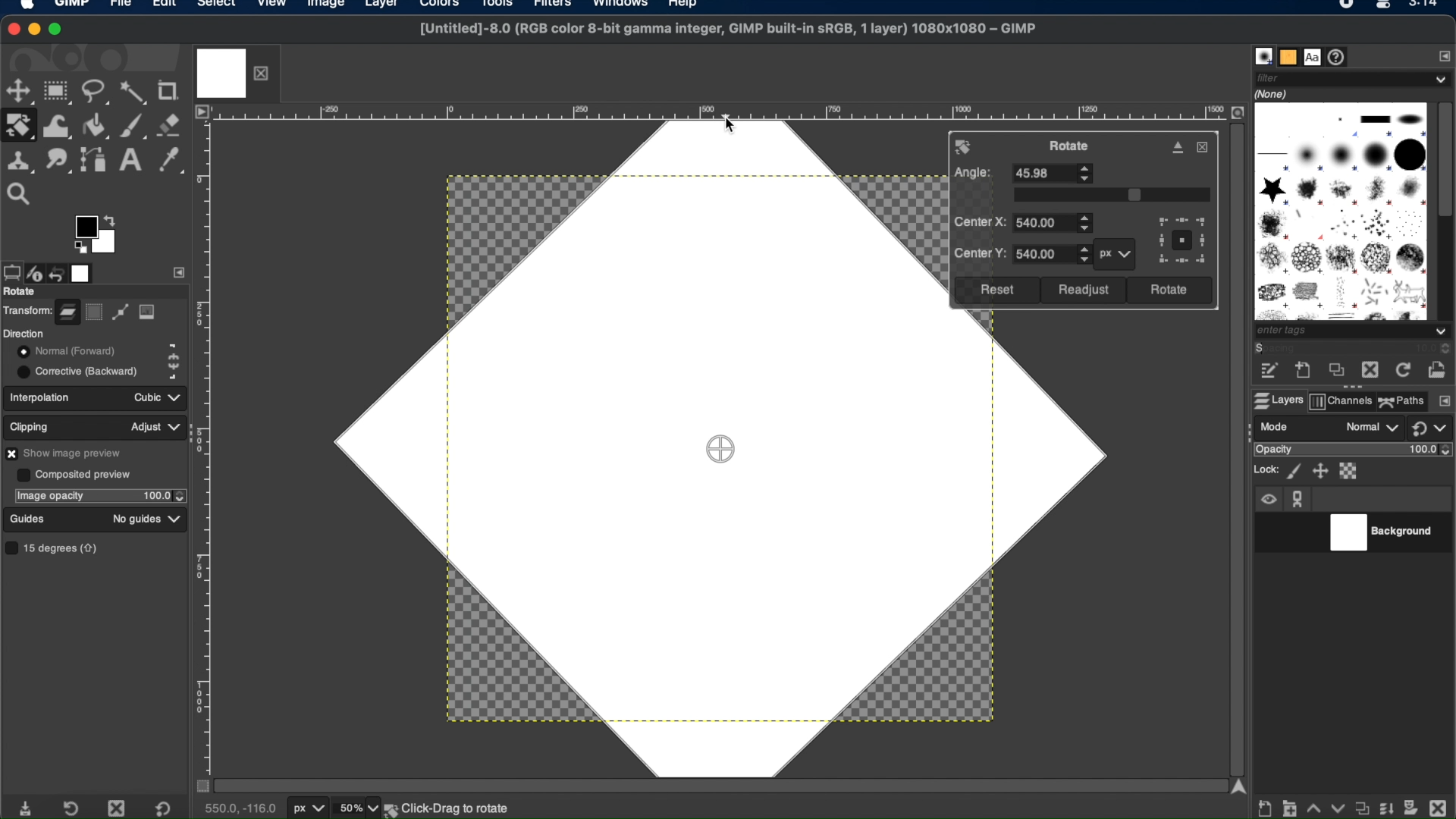 The width and height of the screenshot is (1456, 819). Describe the element at coordinates (502, 6) in the screenshot. I see `tools` at that location.